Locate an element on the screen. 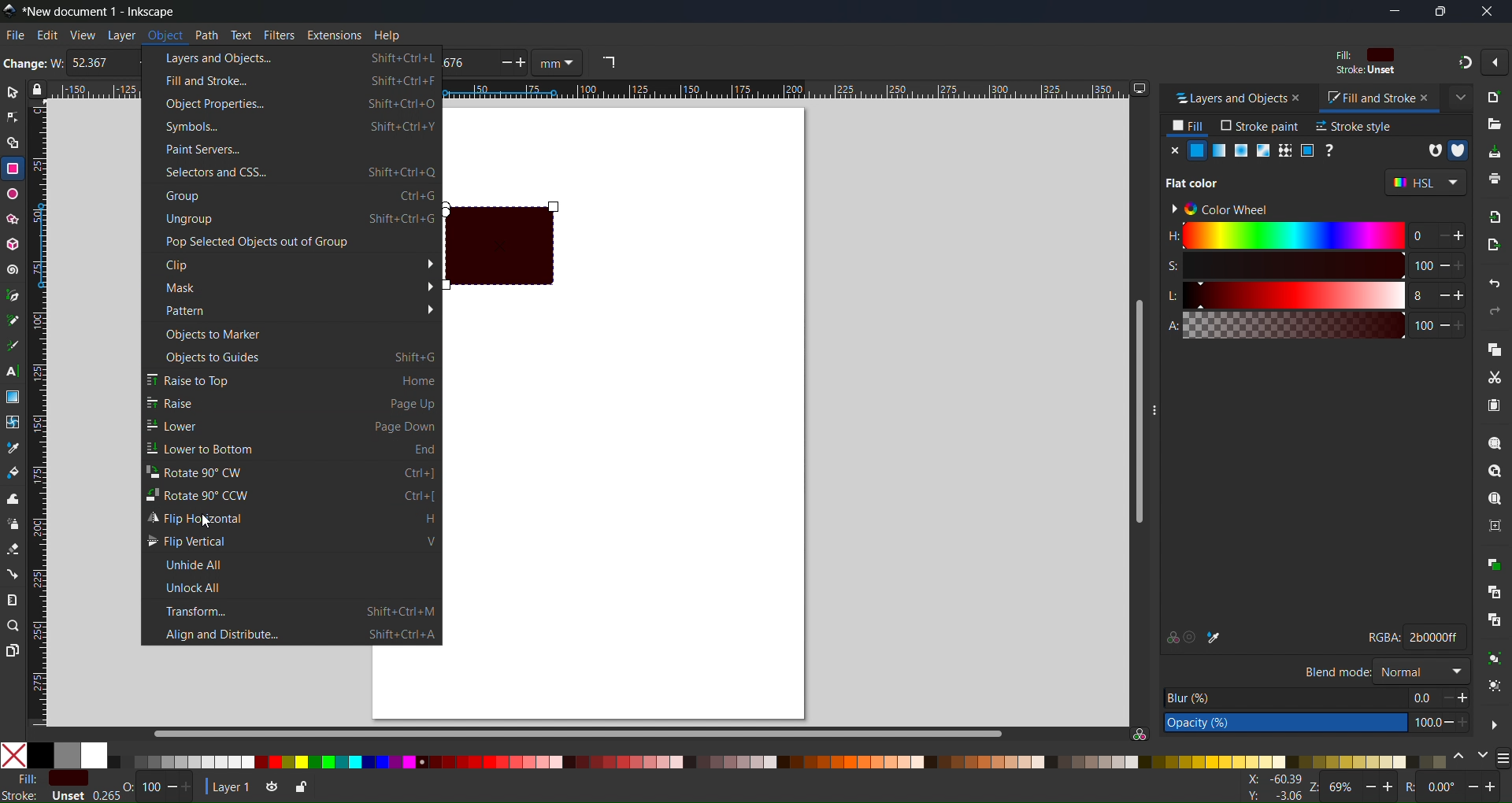  Enable snapping is located at coordinates (1494, 62).